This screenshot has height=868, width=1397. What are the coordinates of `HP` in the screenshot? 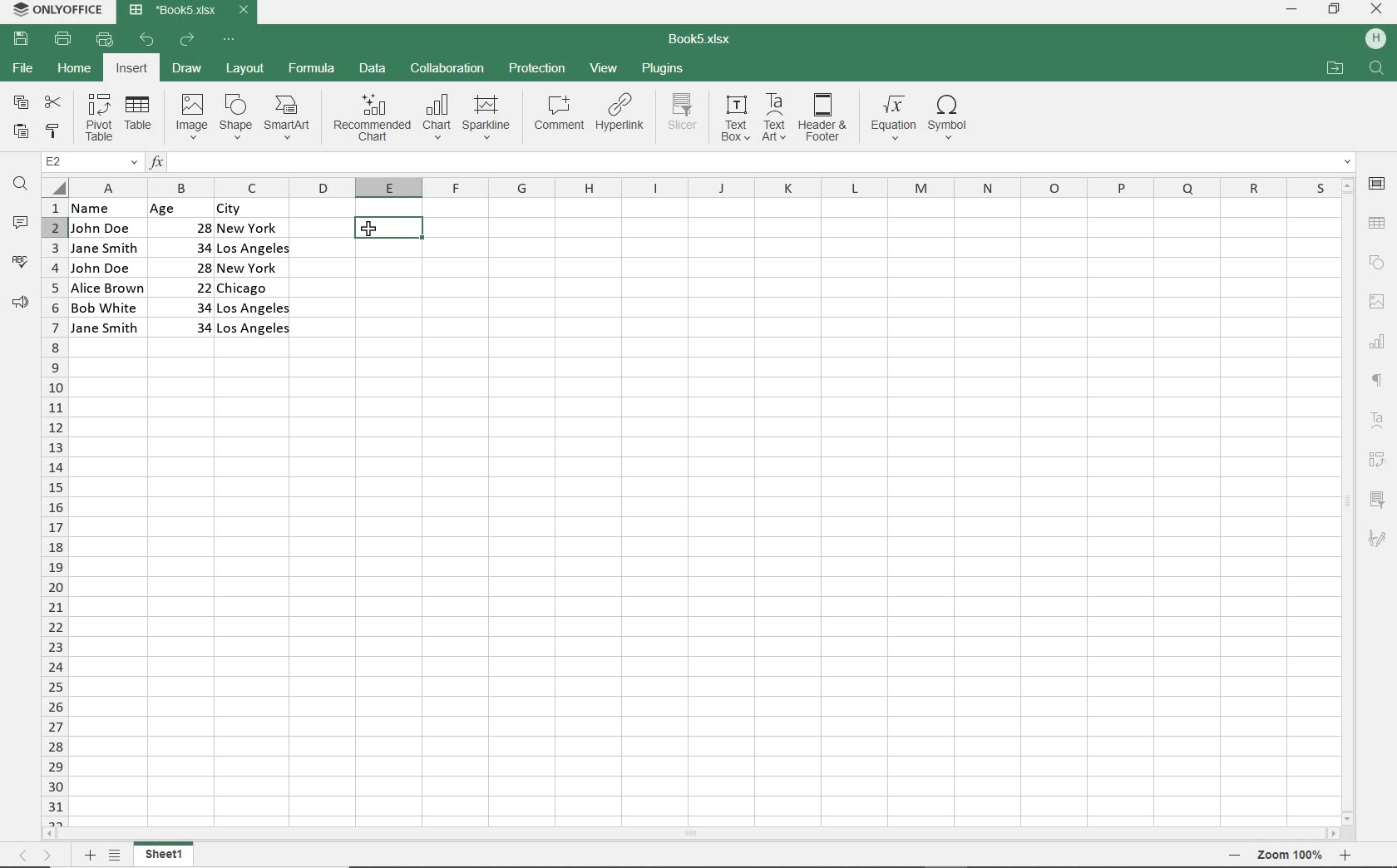 It's located at (1379, 36).